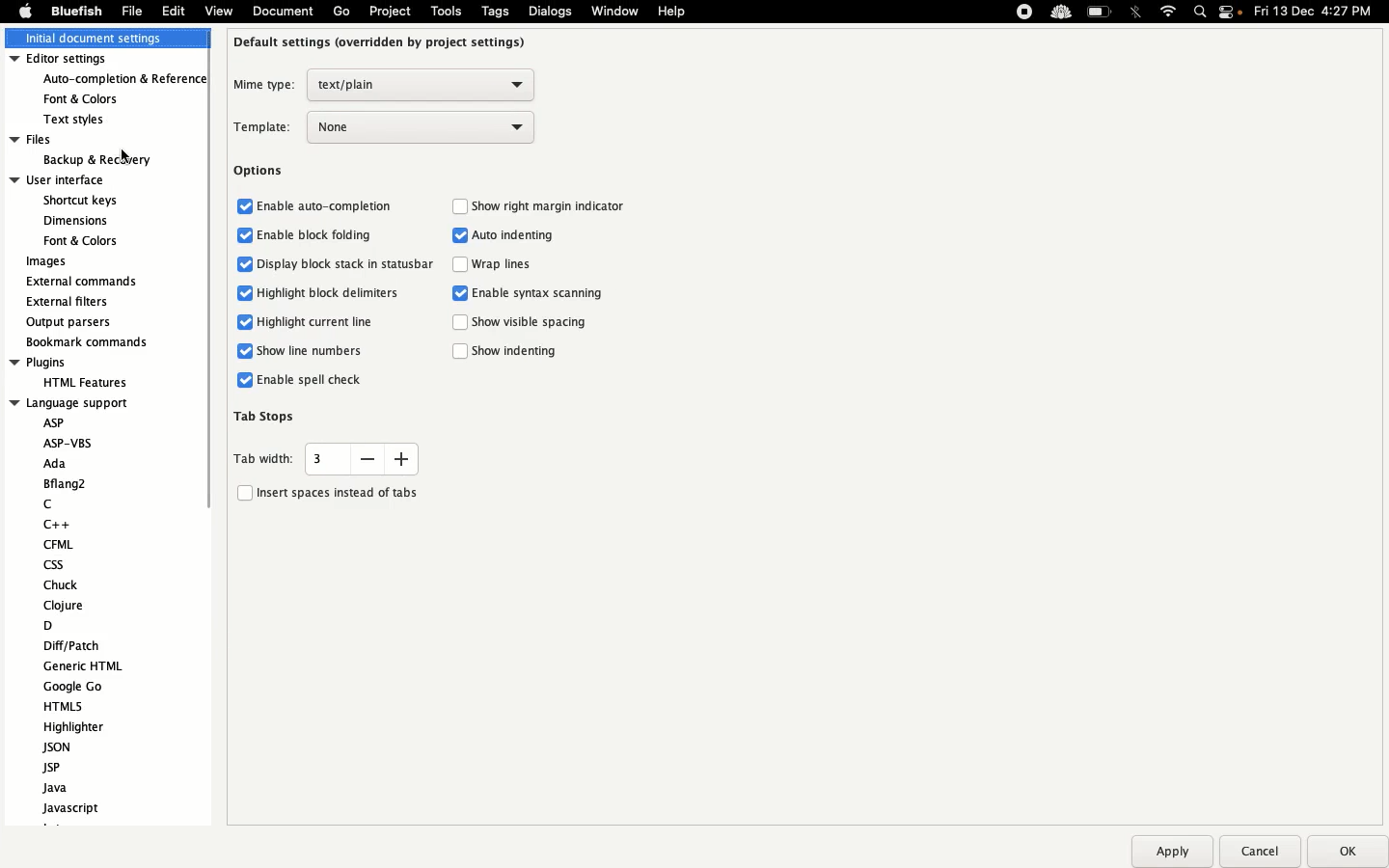  Describe the element at coordinates (497, 12) in the screenshot. I see `Tags` at that location.